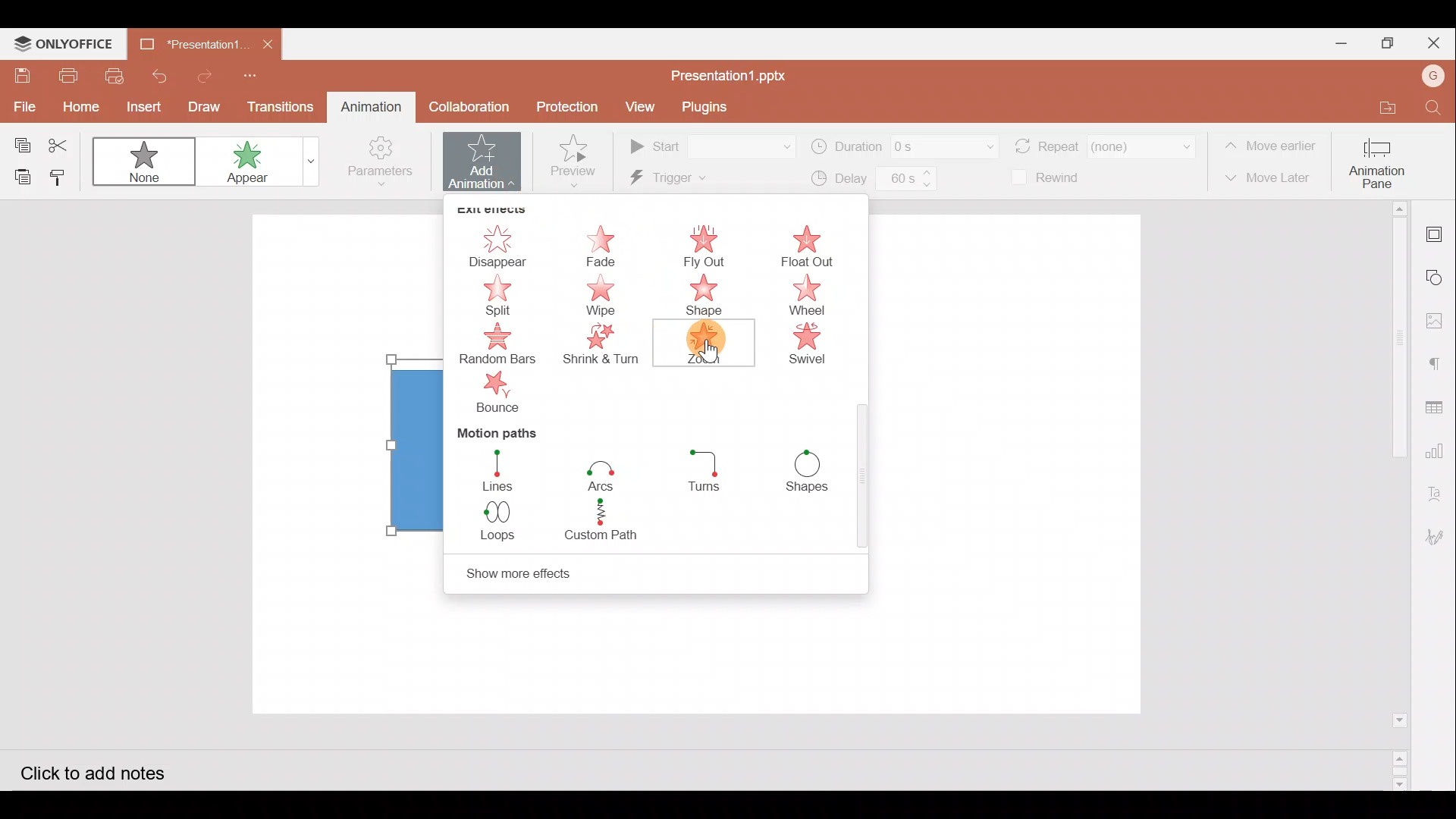  I want to click on Trigger, so click(695, 180).